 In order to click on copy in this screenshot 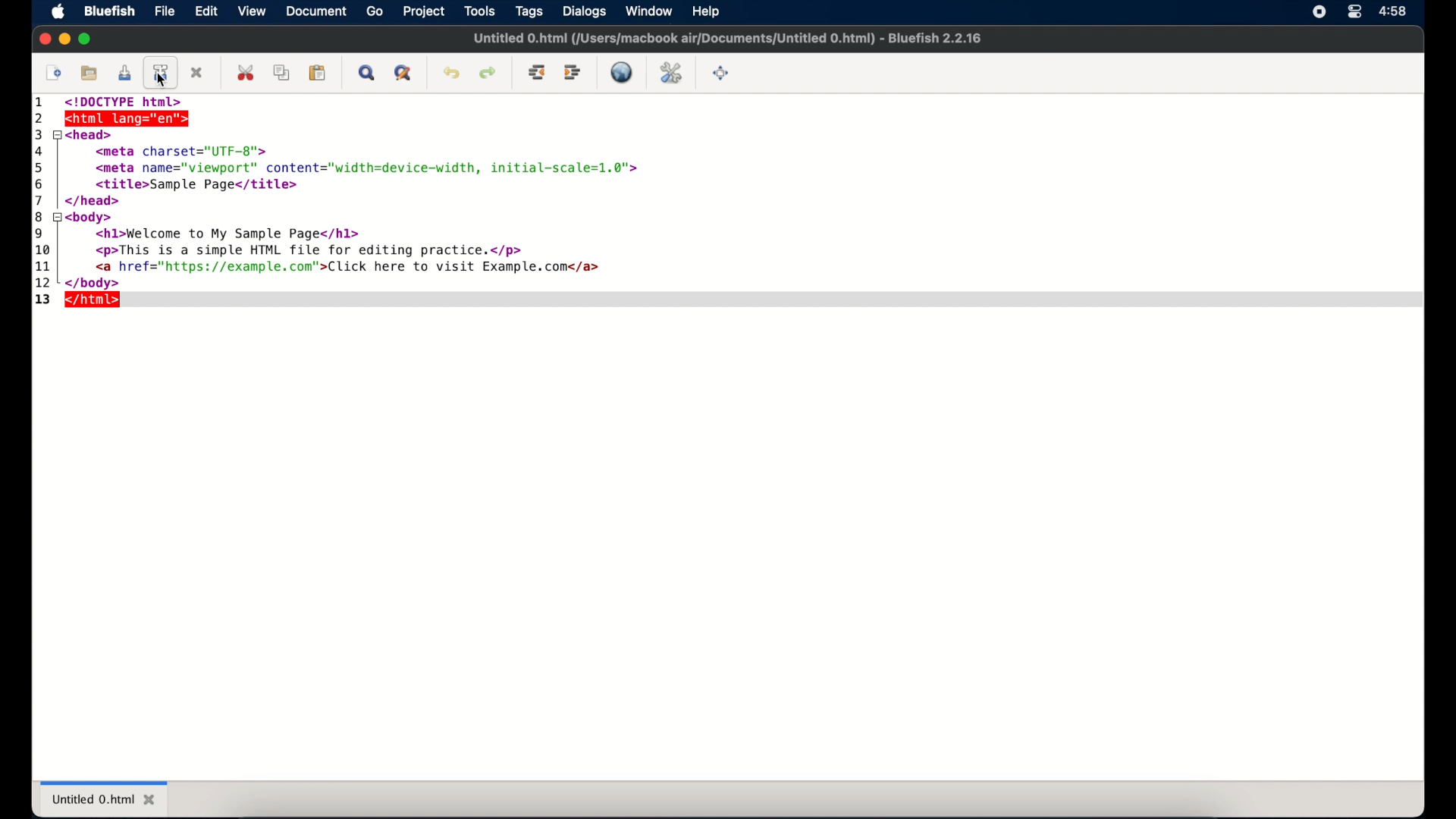, I will do `click(284, 73)`.